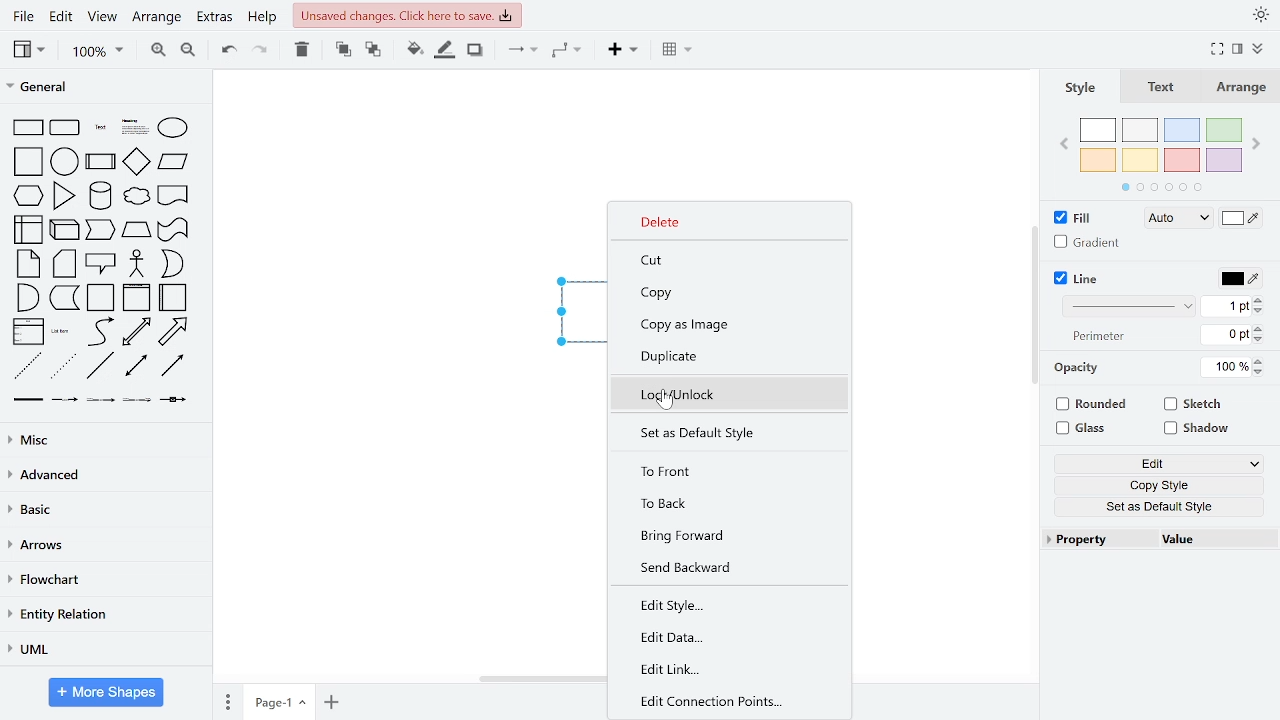 The width and height of the screenshot is (1280, 720). Describe the element at coordinates (476, 51) in the screenshot. I see `shadow` at that location.